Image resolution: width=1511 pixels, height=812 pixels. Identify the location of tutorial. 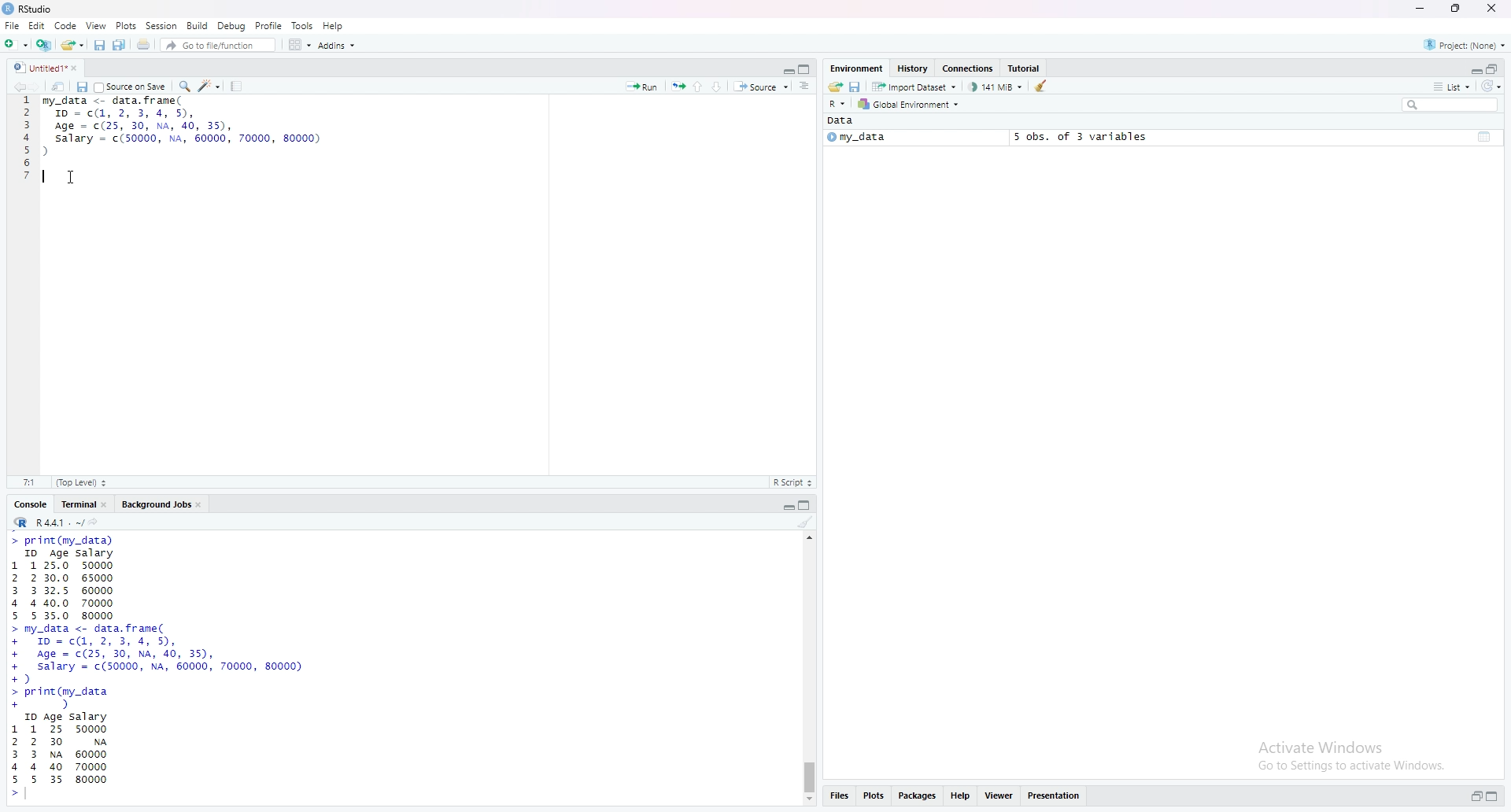
(1025, 68).